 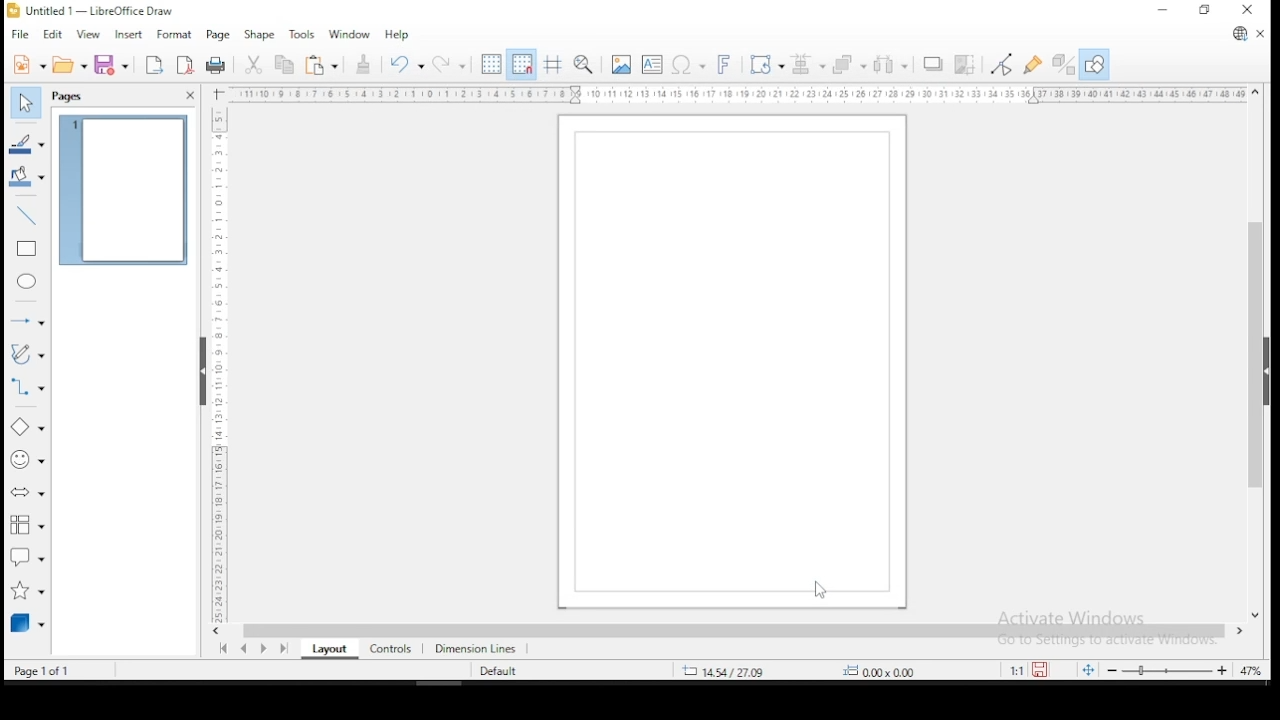 What do you see at coordinates (506, 670) in the screenshot?
I see `Default` at bounding box center [506, 670].